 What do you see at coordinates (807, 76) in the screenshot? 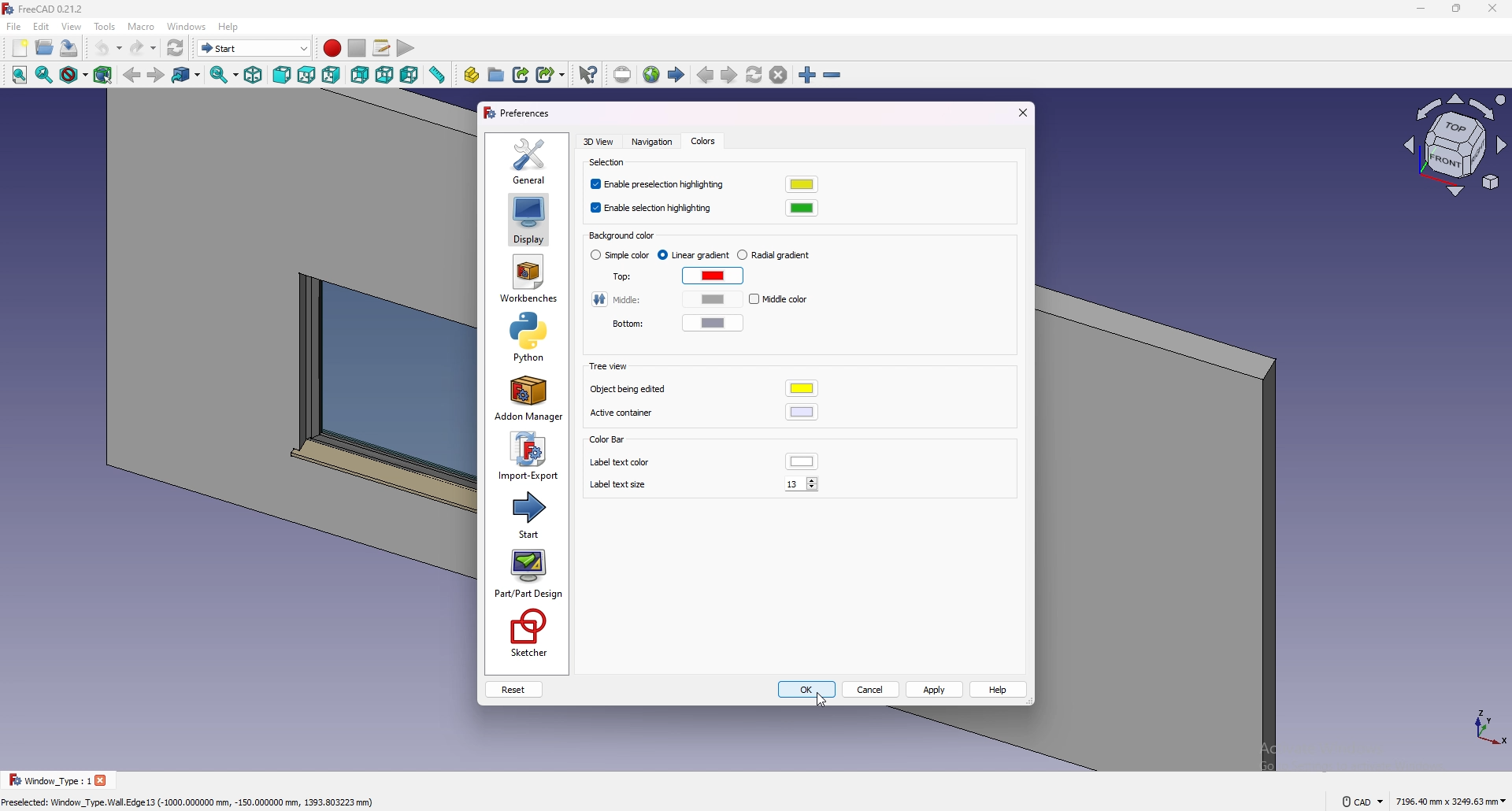
I see `zoom in` at bounding box center [807, 76].